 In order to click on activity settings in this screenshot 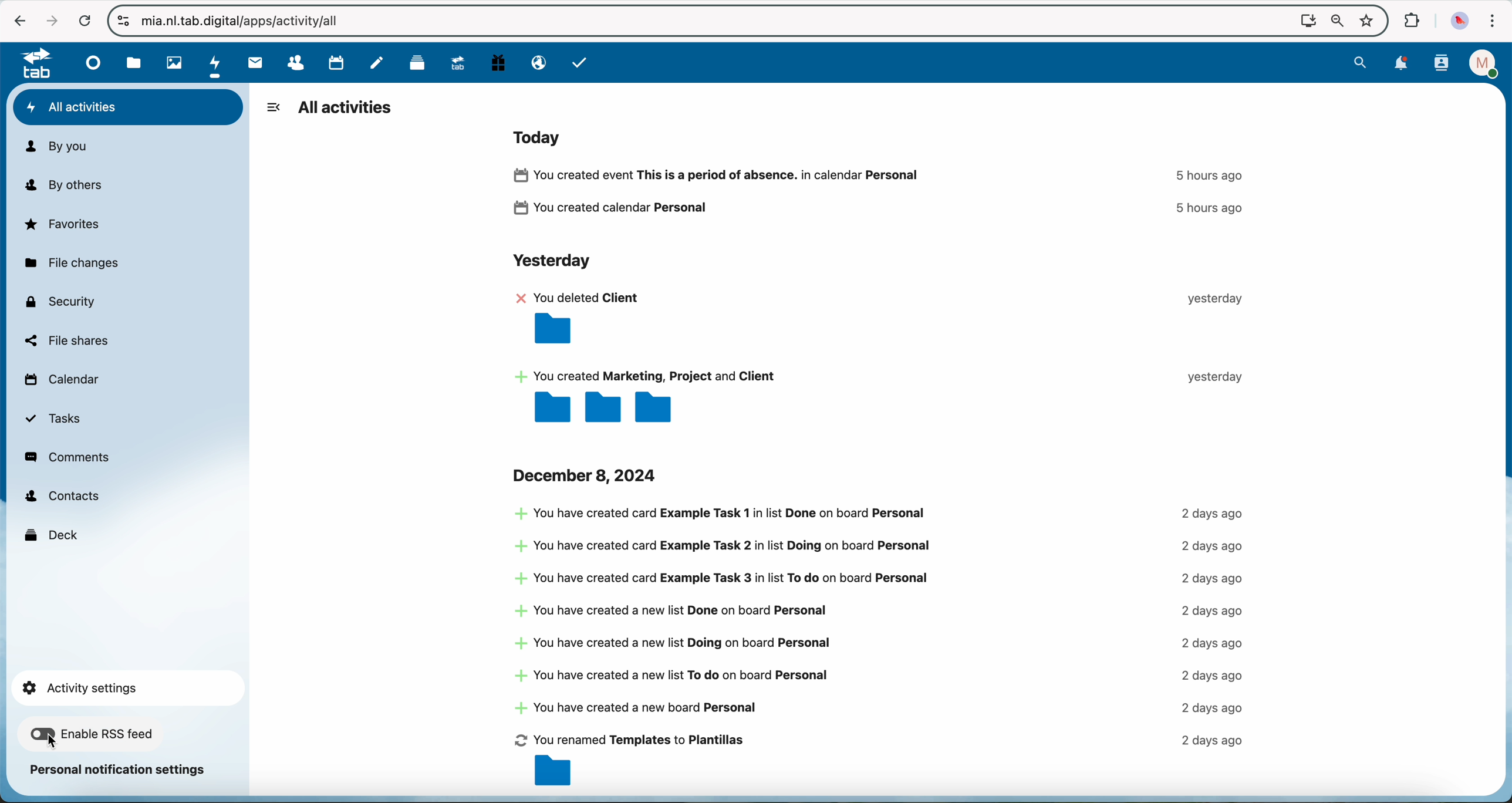, I will do `click(126, 684)`.